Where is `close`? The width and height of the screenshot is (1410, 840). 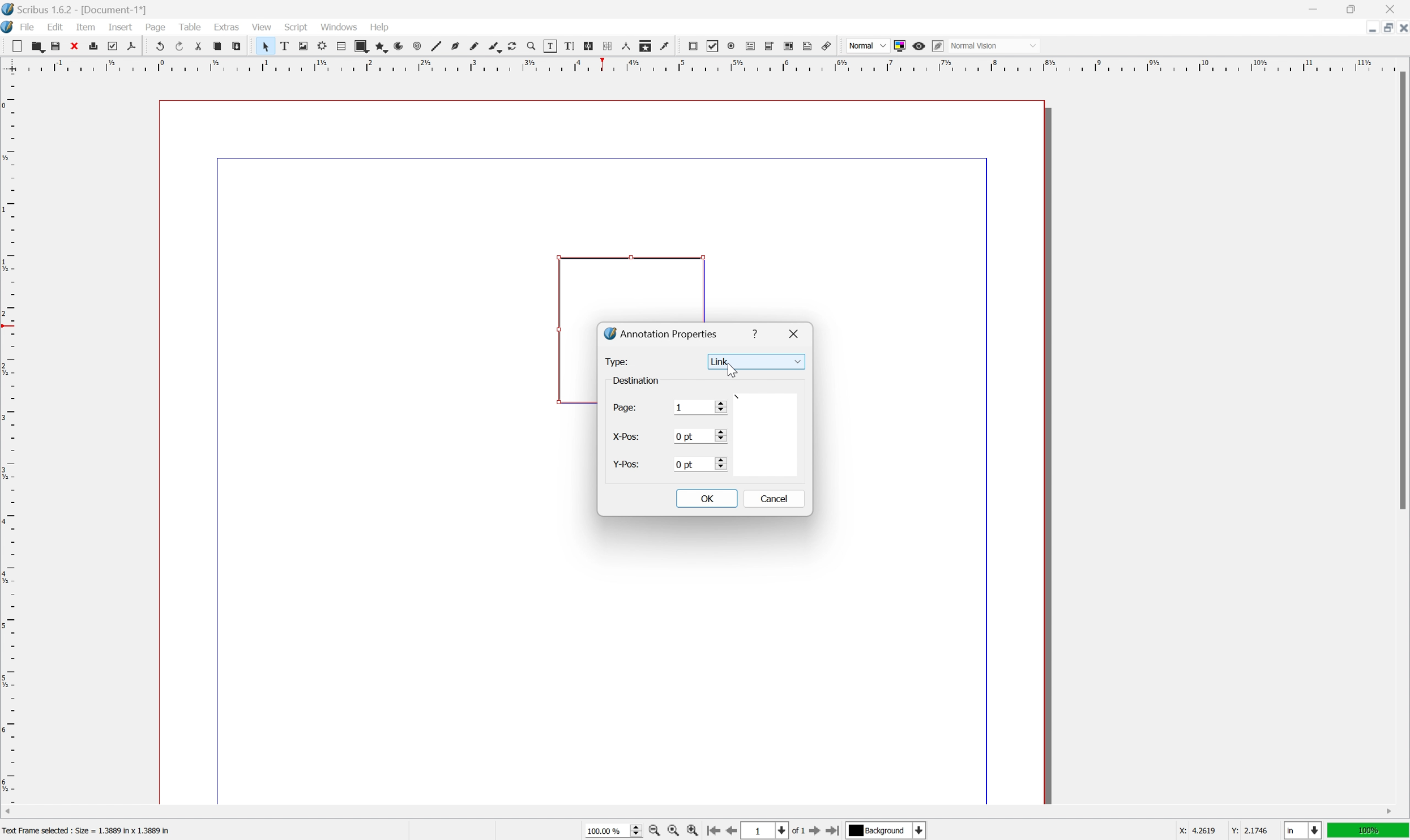
close is located at coordinates (1401, 30).